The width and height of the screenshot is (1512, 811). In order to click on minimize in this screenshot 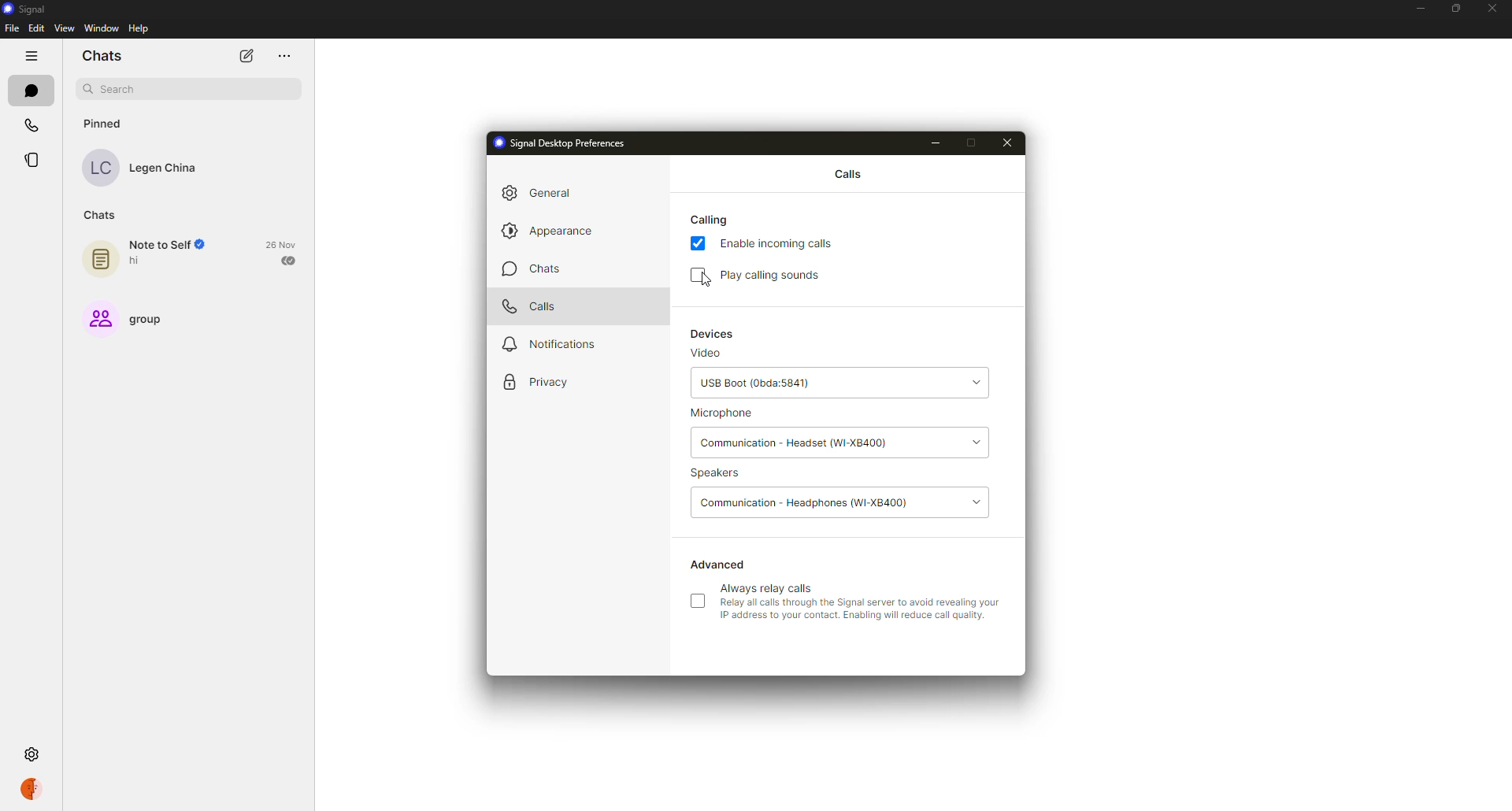, I will do `click(1420, 8)`.